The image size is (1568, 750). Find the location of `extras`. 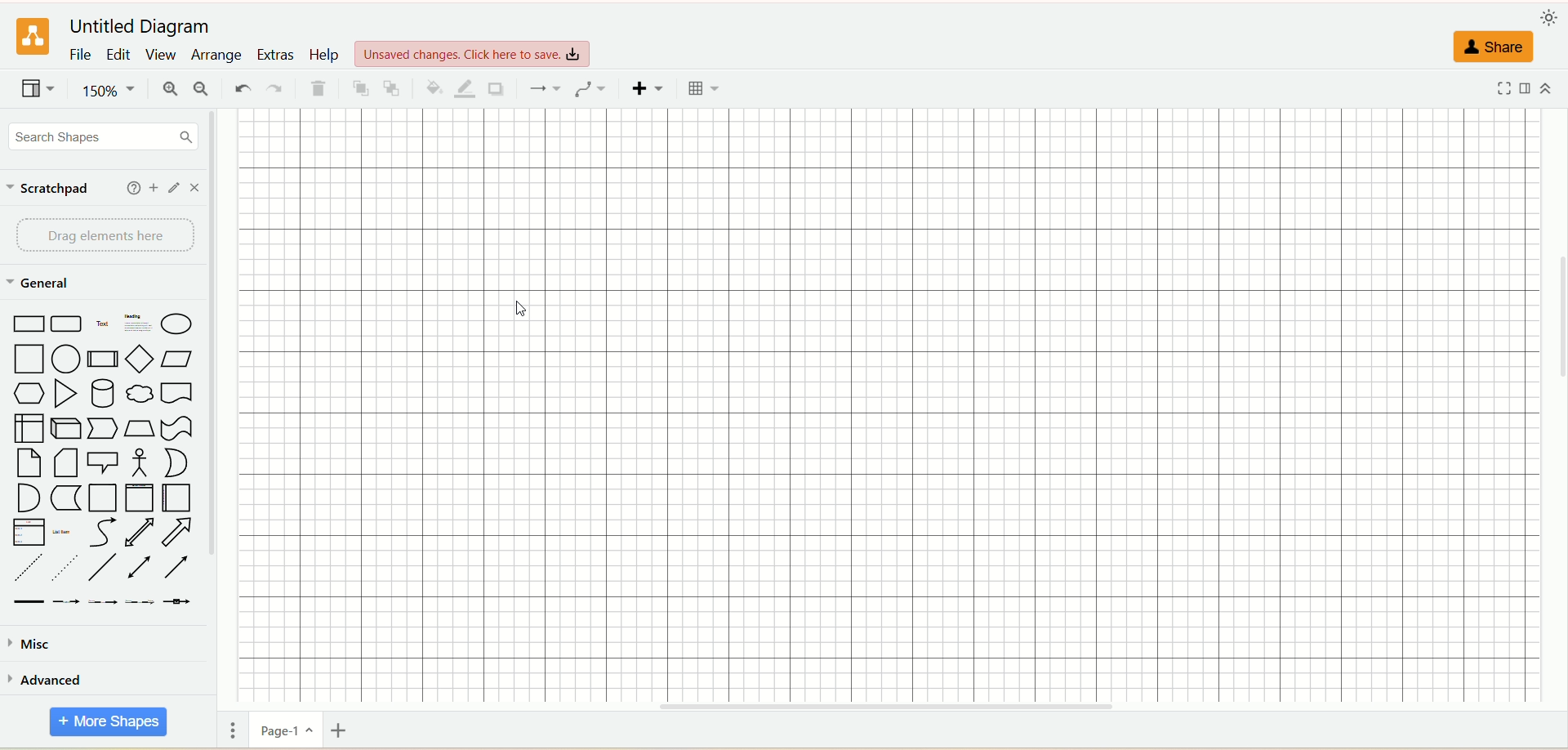

extras is located at coordinates (275, 54).